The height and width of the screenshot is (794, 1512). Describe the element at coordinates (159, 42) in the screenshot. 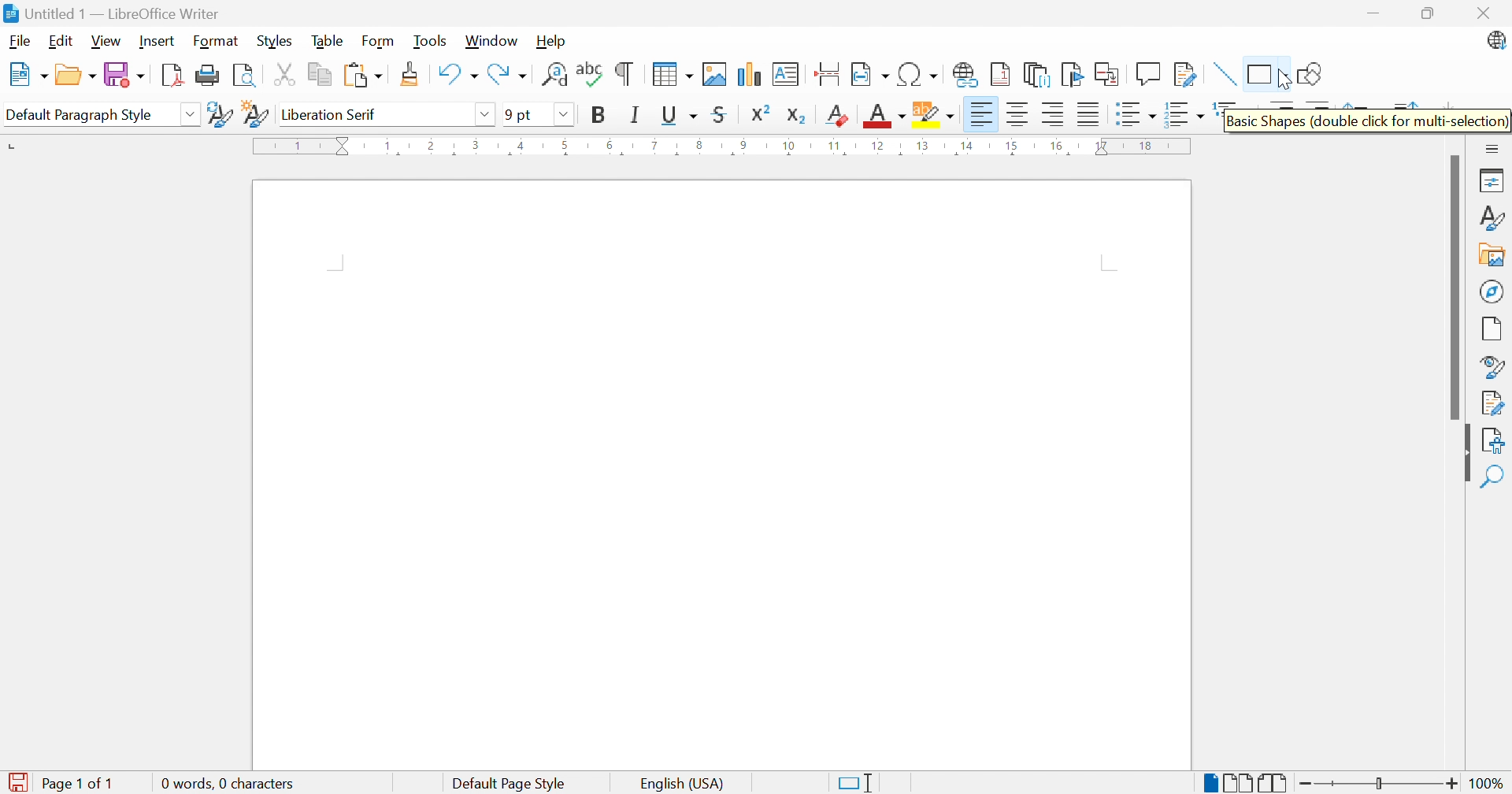

I see `Insert` at that location.